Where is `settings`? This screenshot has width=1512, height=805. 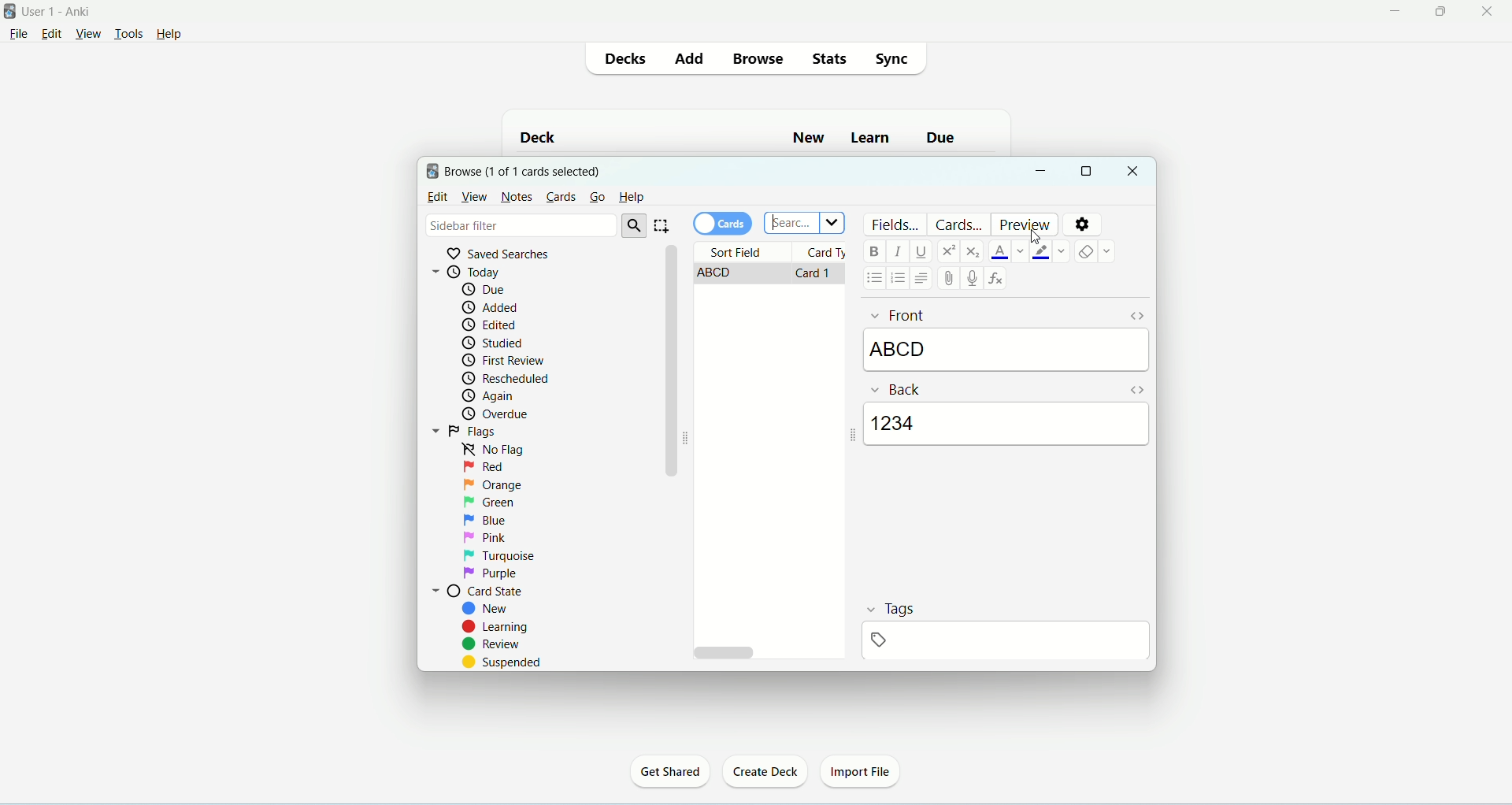 settings is located at coordinates (1081, 225).